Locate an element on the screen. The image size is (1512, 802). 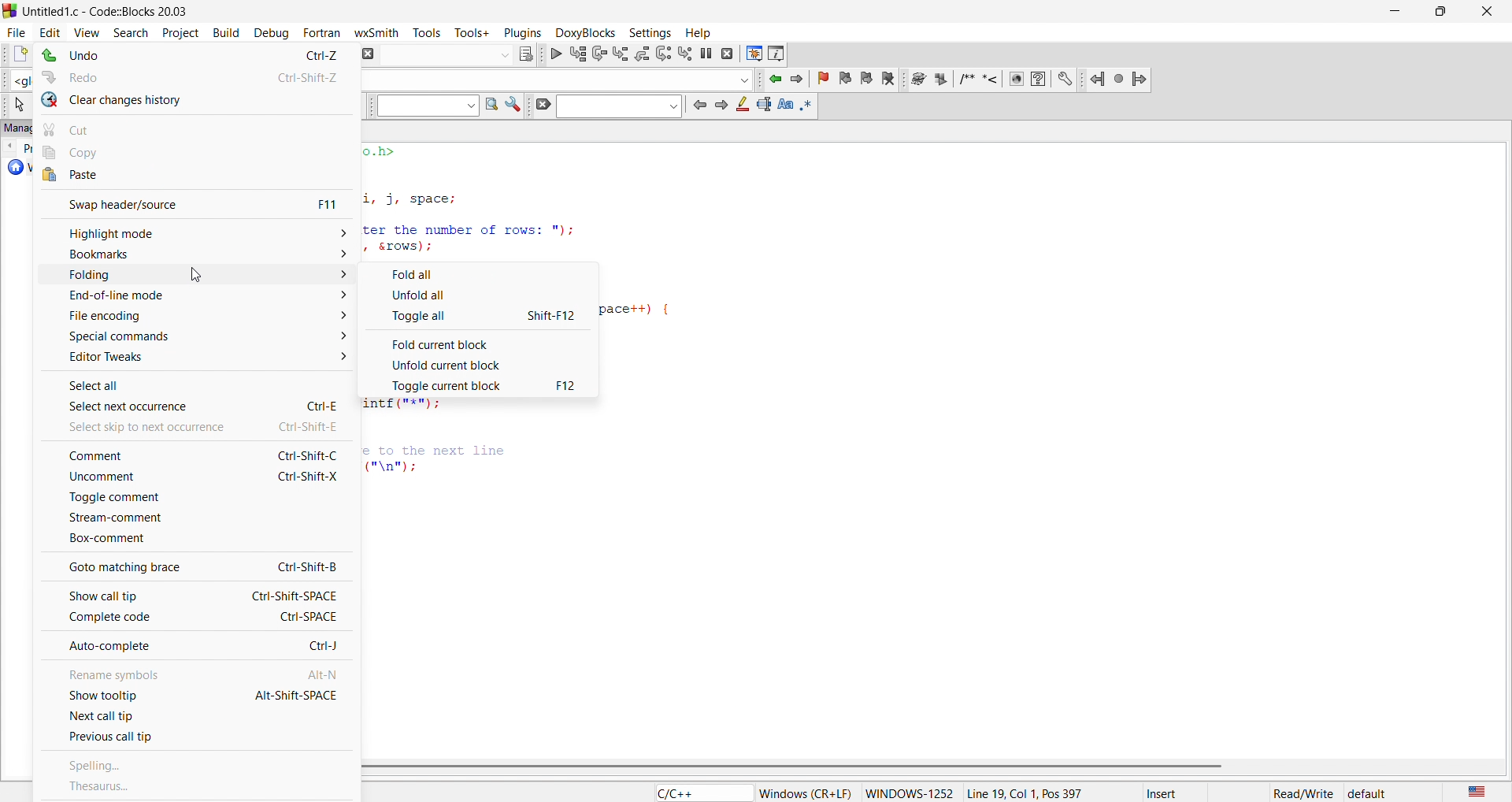
Insert is located at coordinates (1176, 793).